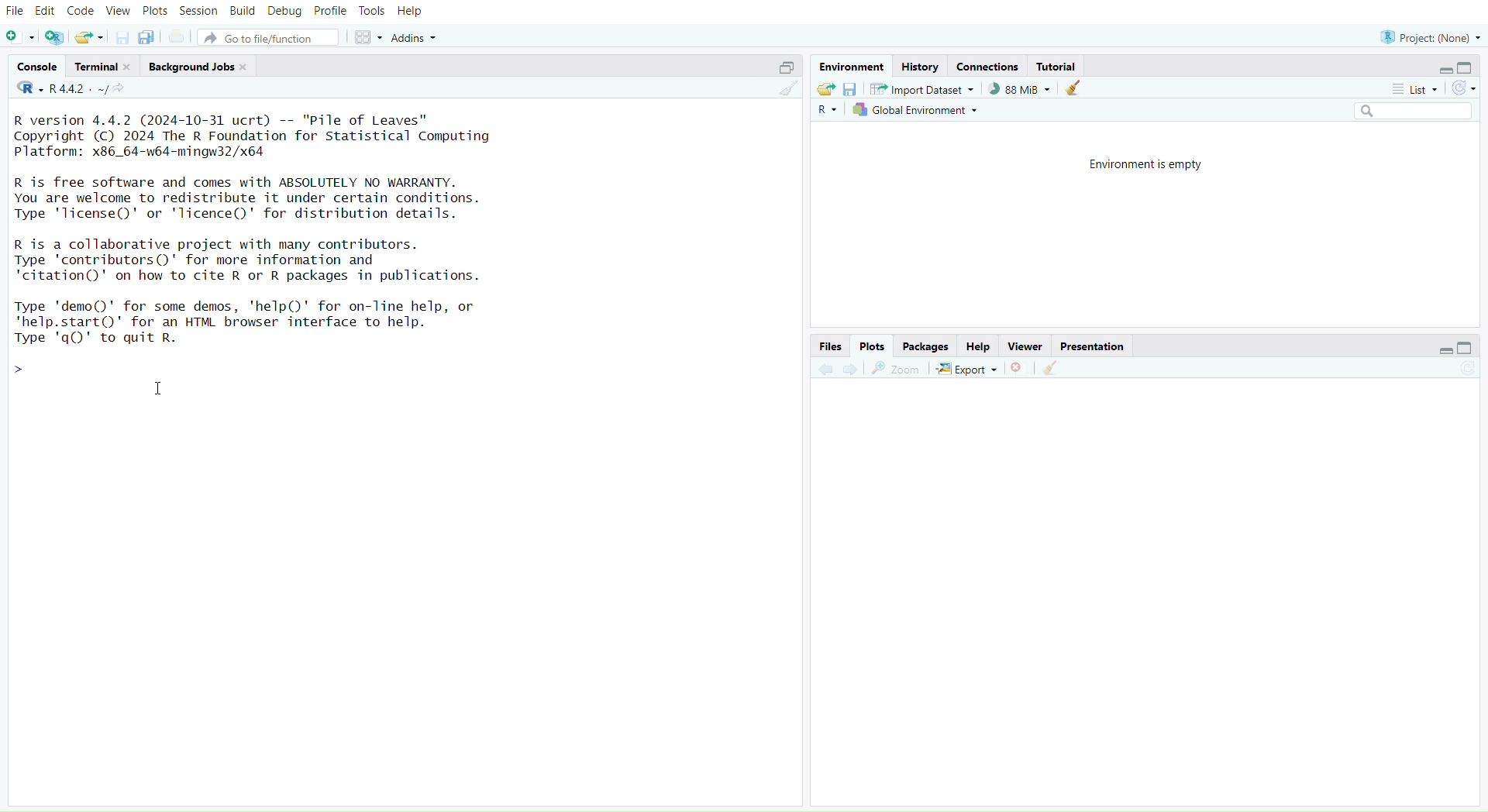 Image resolution: width=1488 pixels, height=812 pixels. Describe the element at coordinates (828, 347) in the screenshot. I see `files` at that location.